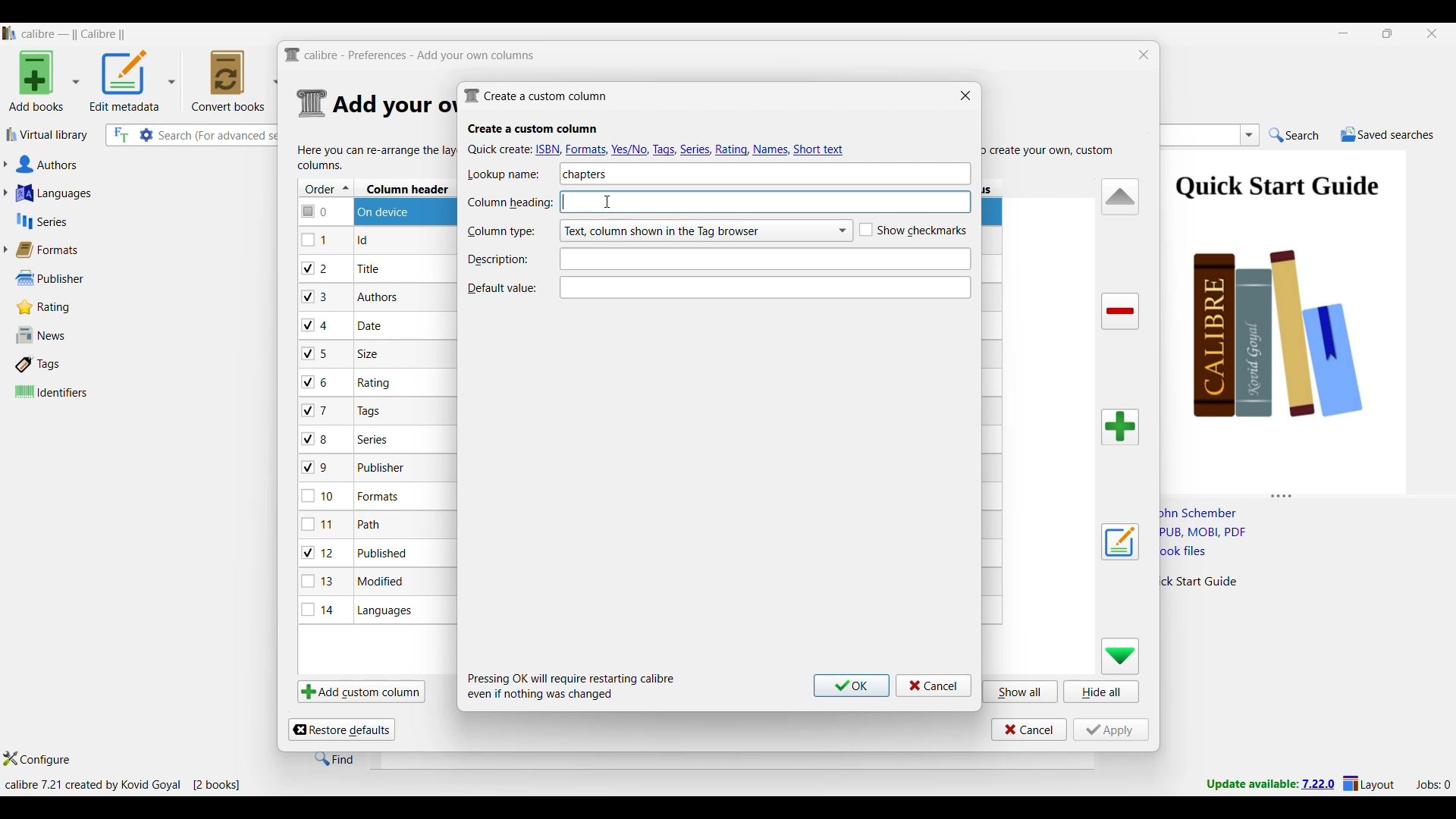  What do you see at coordinates (1121, 312) in the screenshot?
I see `Delete column` at bounding box center [1121, 312].